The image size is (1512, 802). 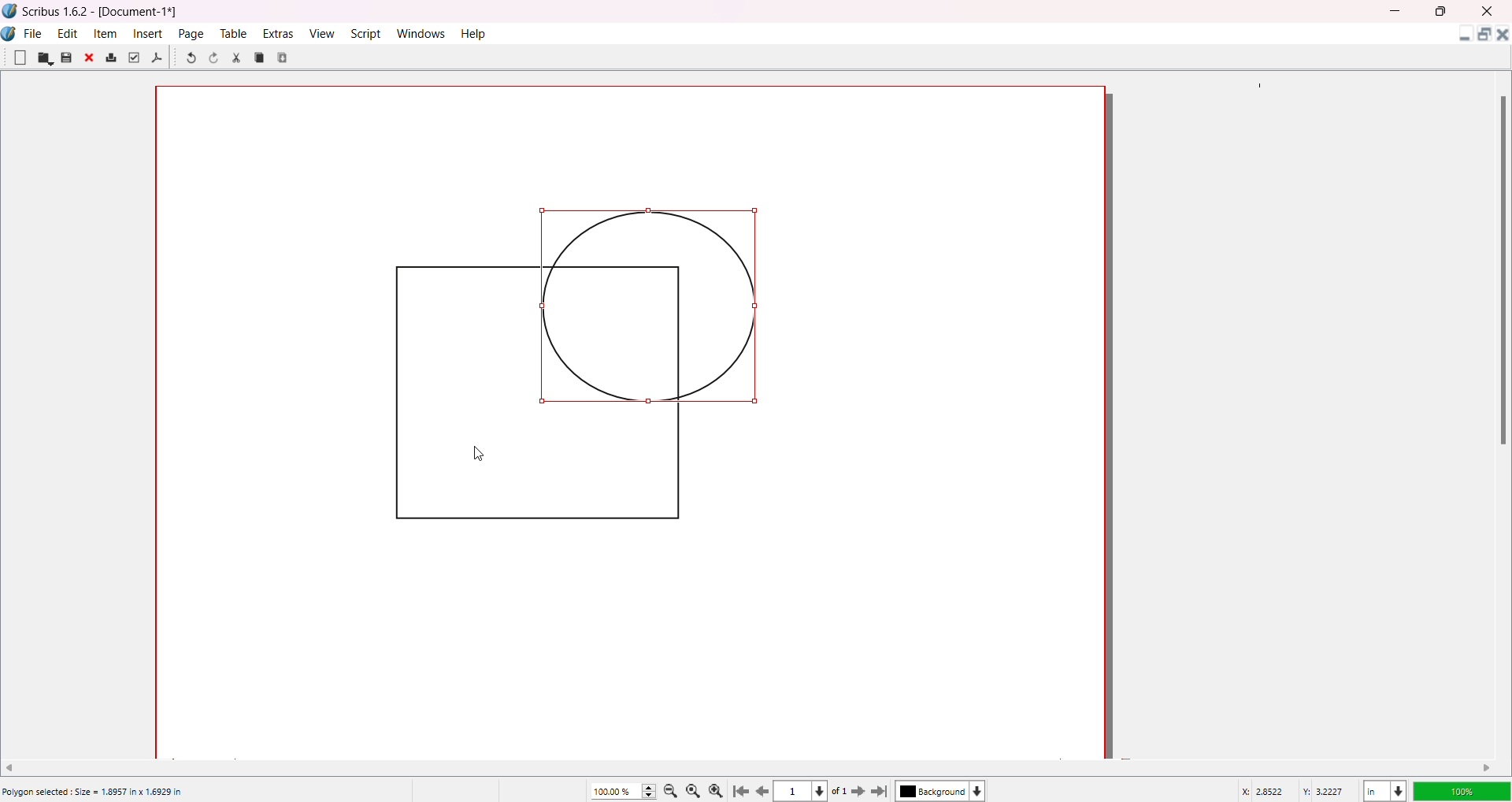 I want to click on Logo, so click(x=11, y=34).